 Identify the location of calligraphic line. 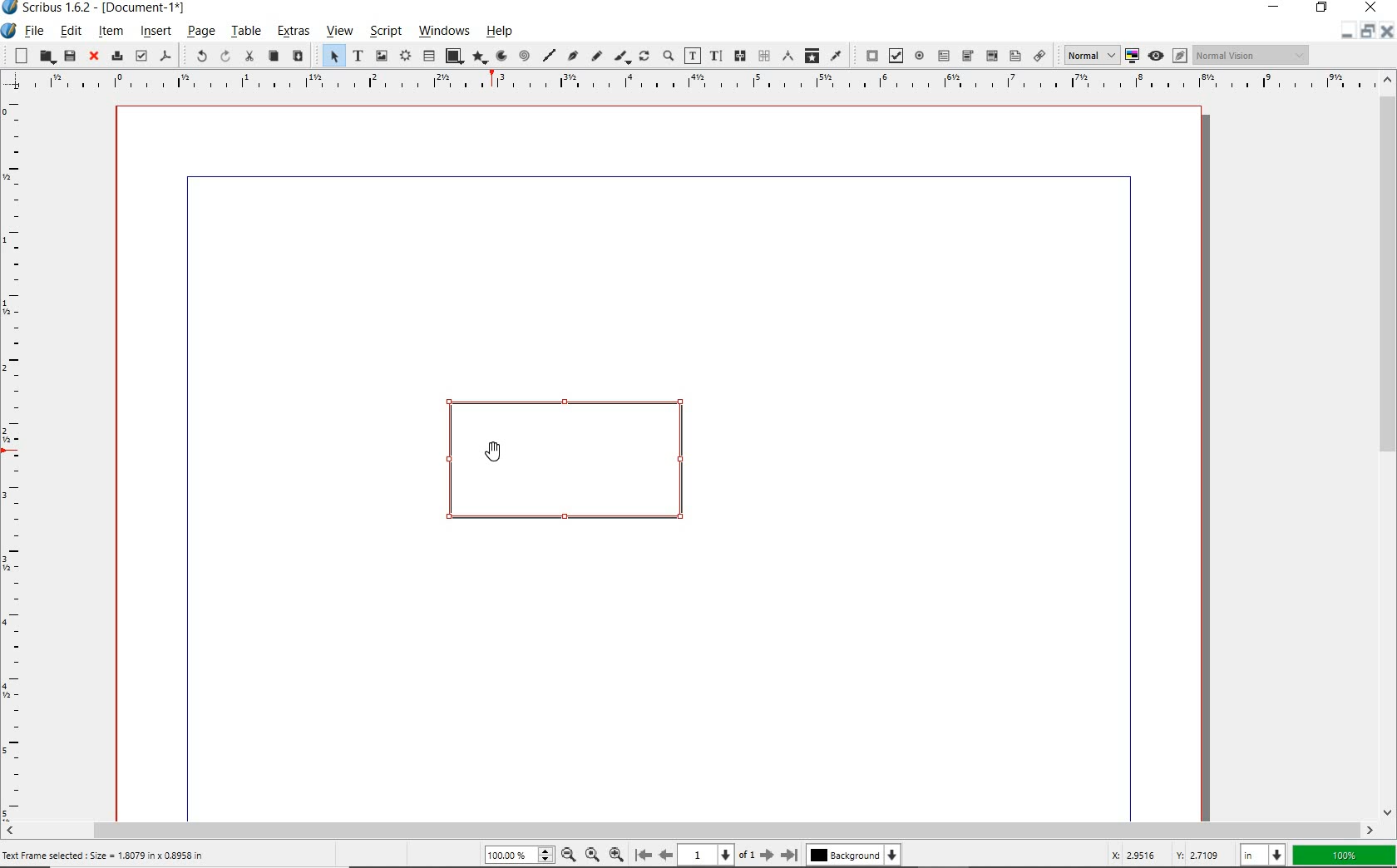
(623, 57).